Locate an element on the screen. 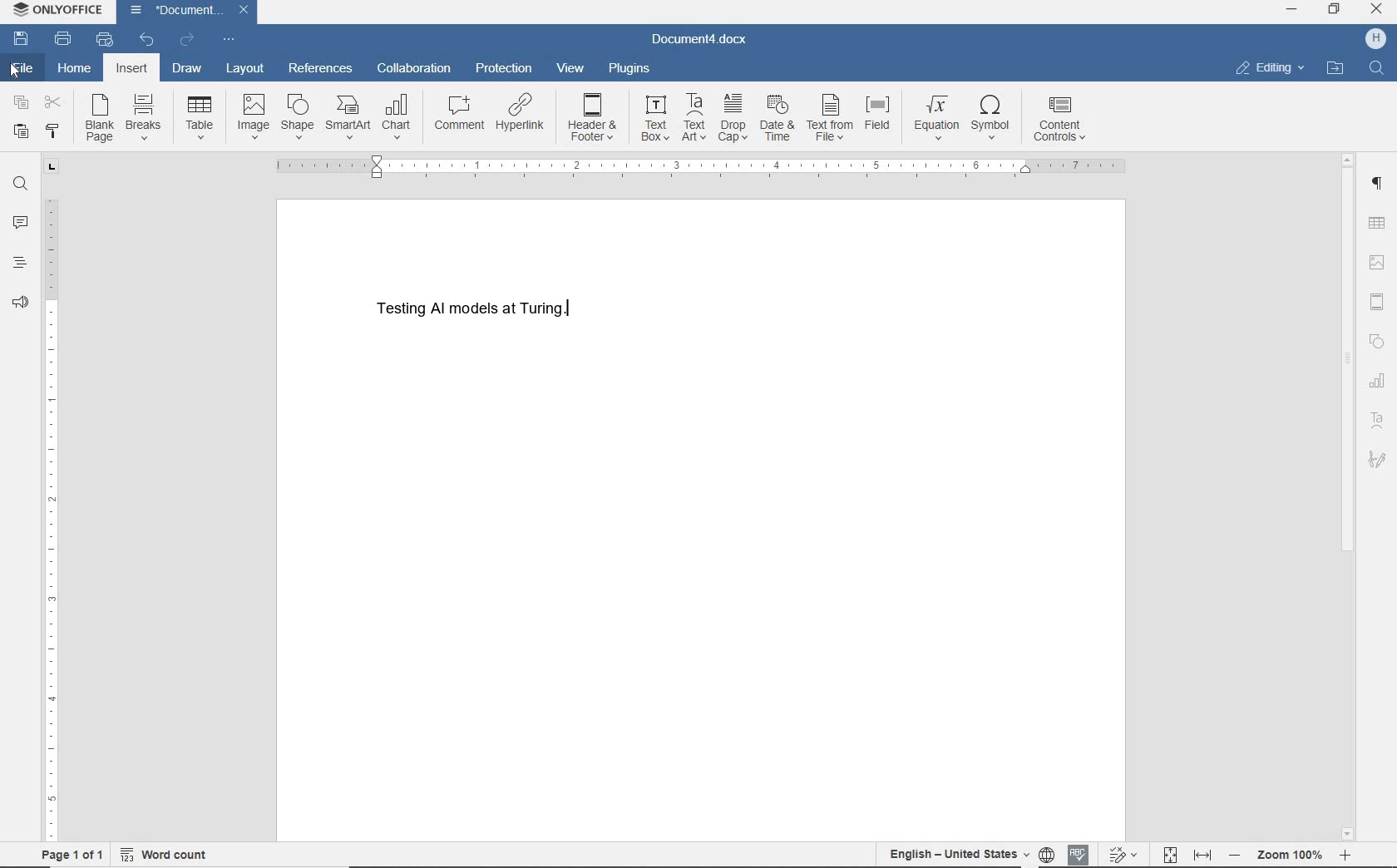 The height and width of the screenshot is (868, 1397). references is located at coordinates (321, 67).